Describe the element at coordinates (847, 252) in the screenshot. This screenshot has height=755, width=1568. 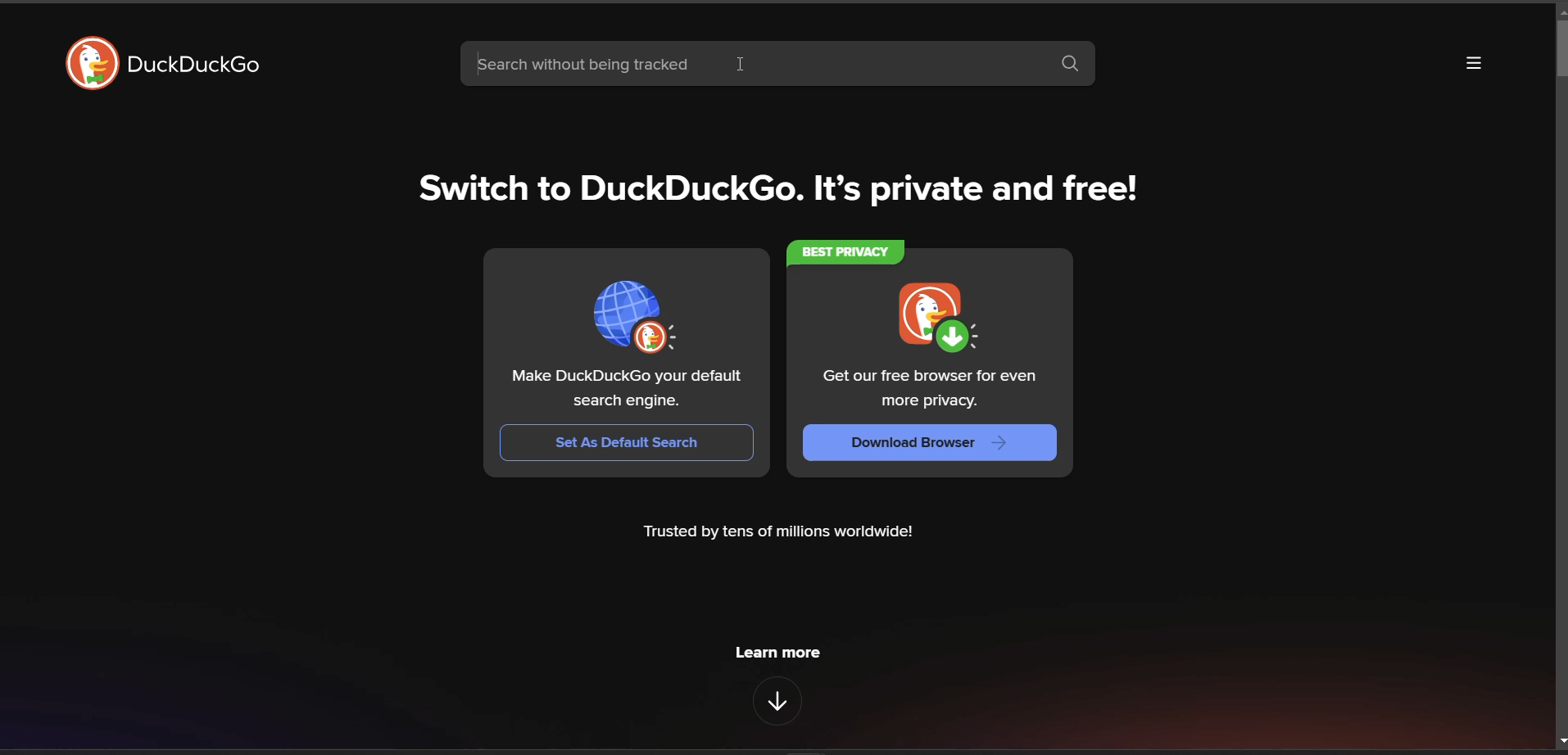
I see `best privacy` at that location.